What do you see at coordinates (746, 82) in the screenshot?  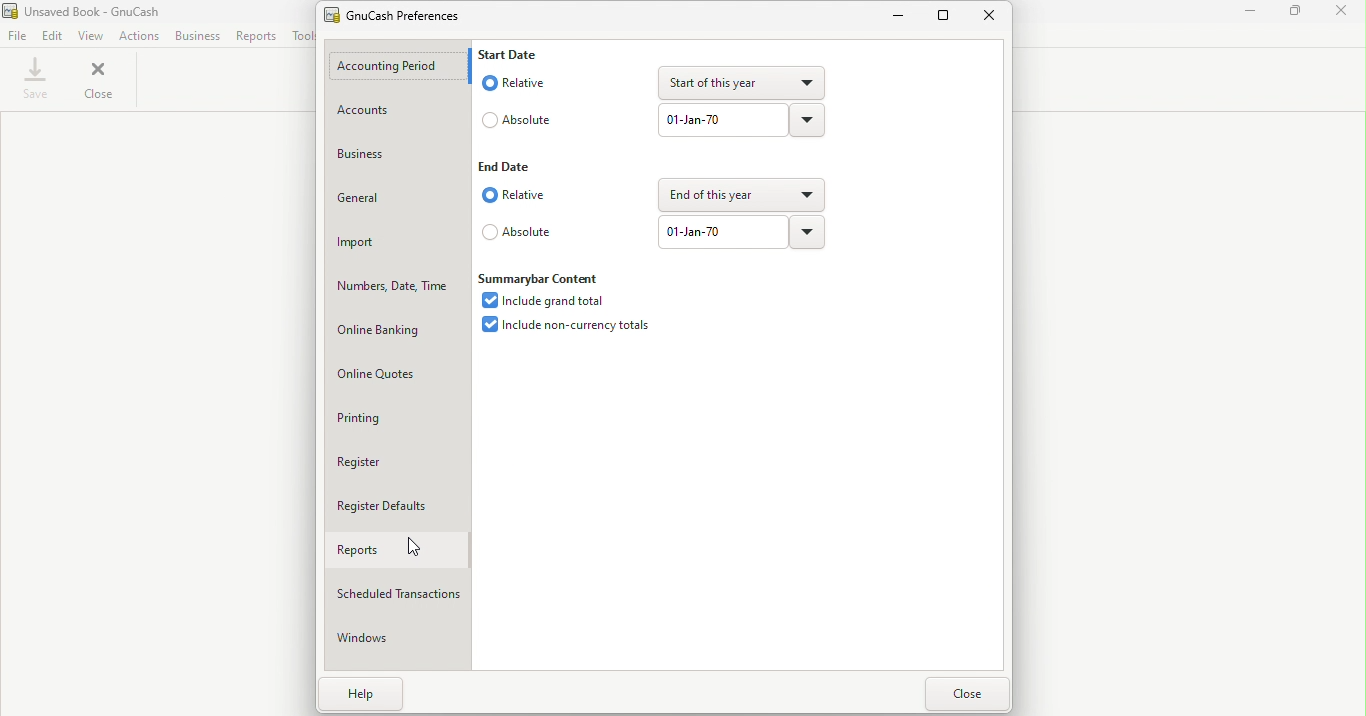 I see `Start of this year` at bounding box center [746, 82].